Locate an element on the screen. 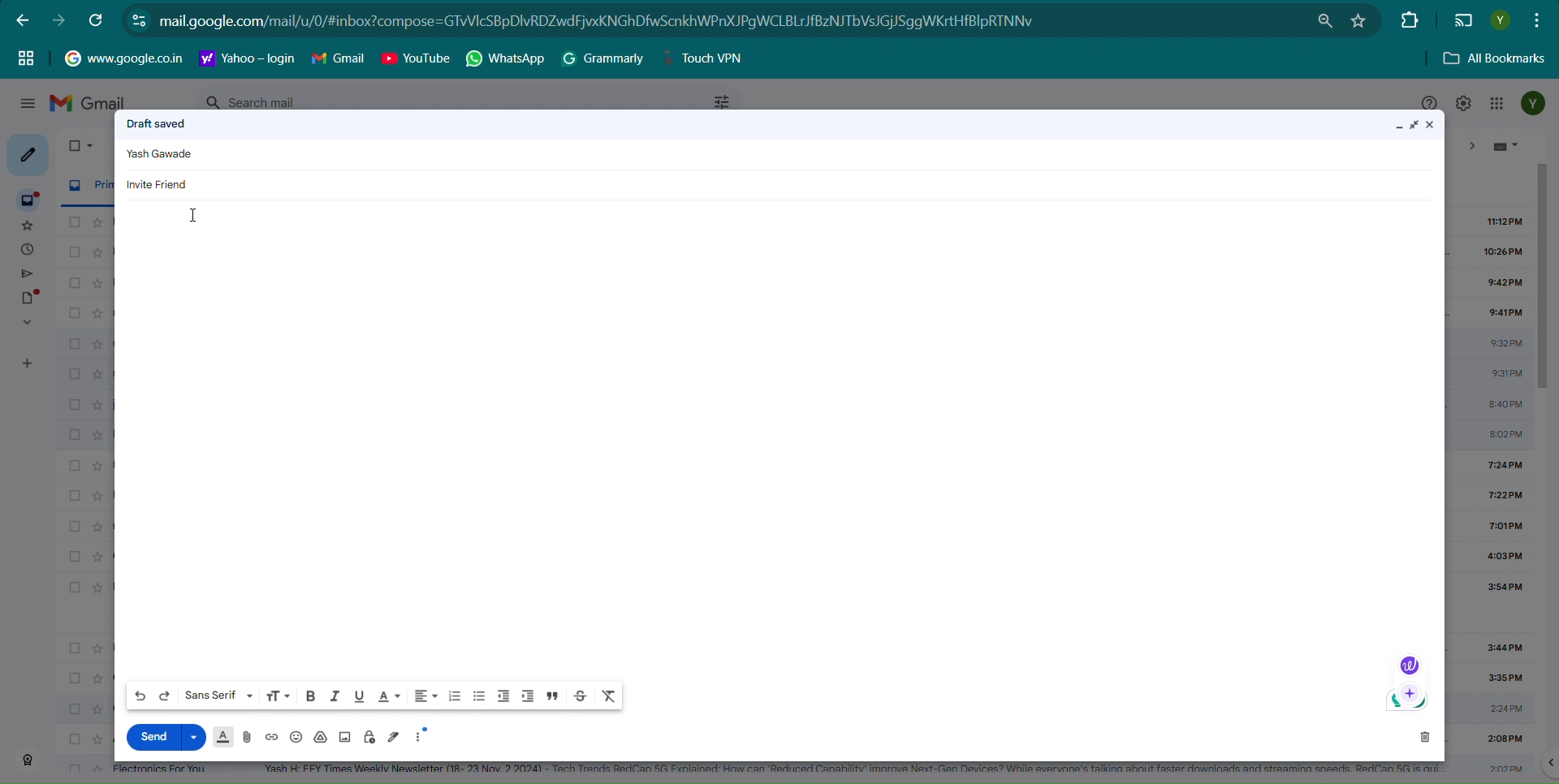 The height and width of the screenshot is (784, 1559). Bold is located at coordinates (310, 695).